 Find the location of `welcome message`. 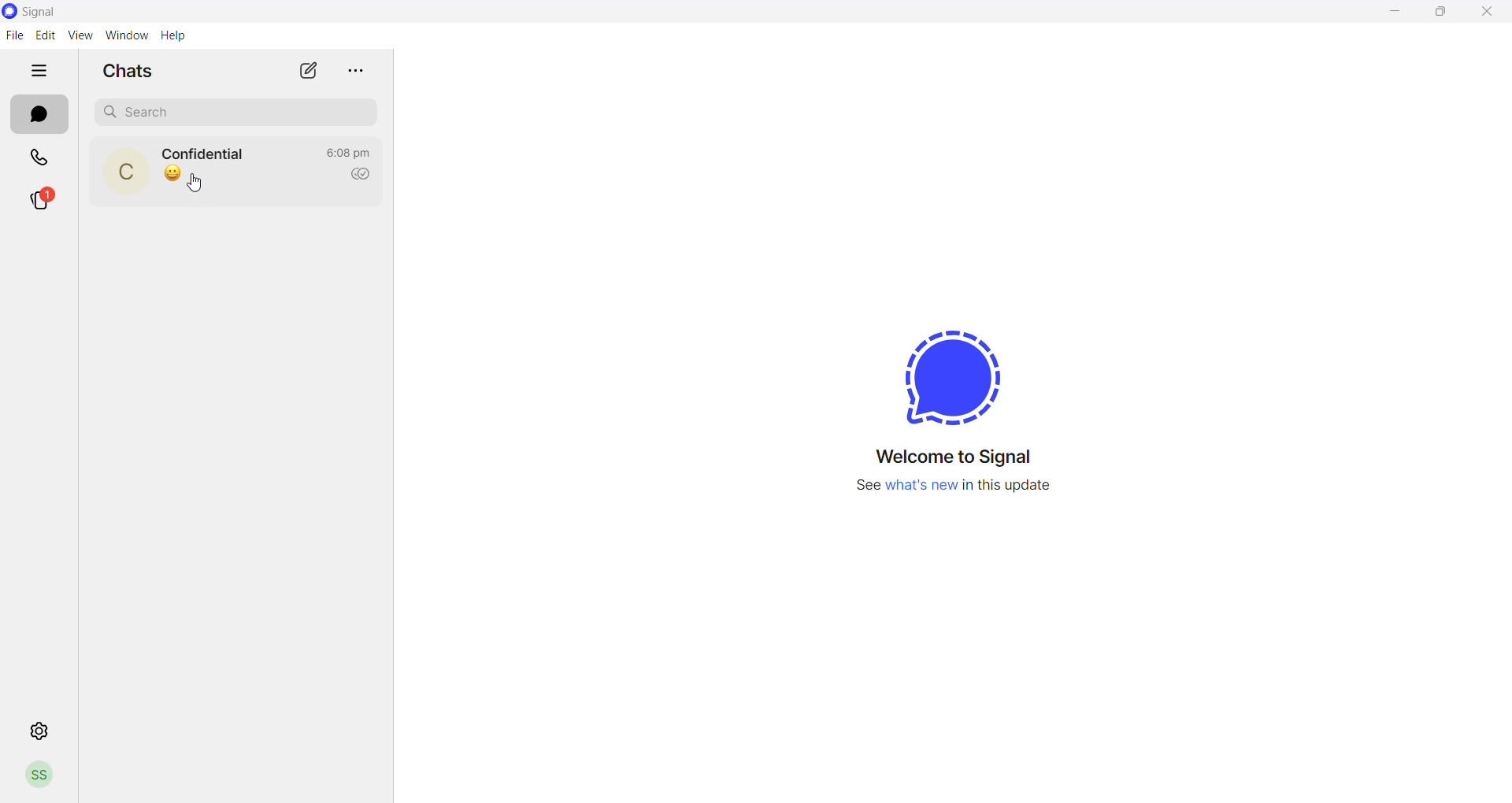

welcome message is located at coordinates (962, 461).